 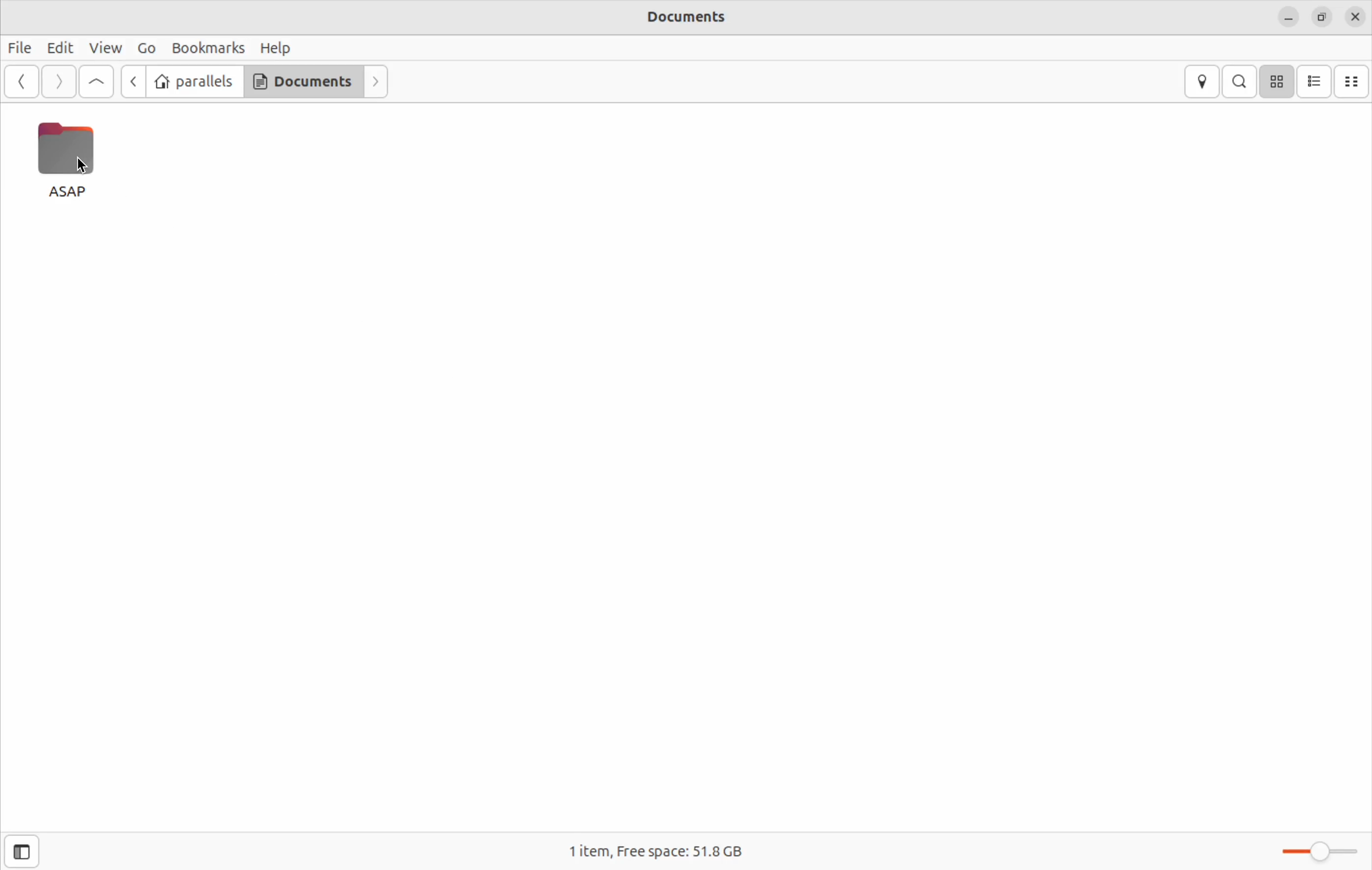 I want to click on Go, so click(x=145, y=47).